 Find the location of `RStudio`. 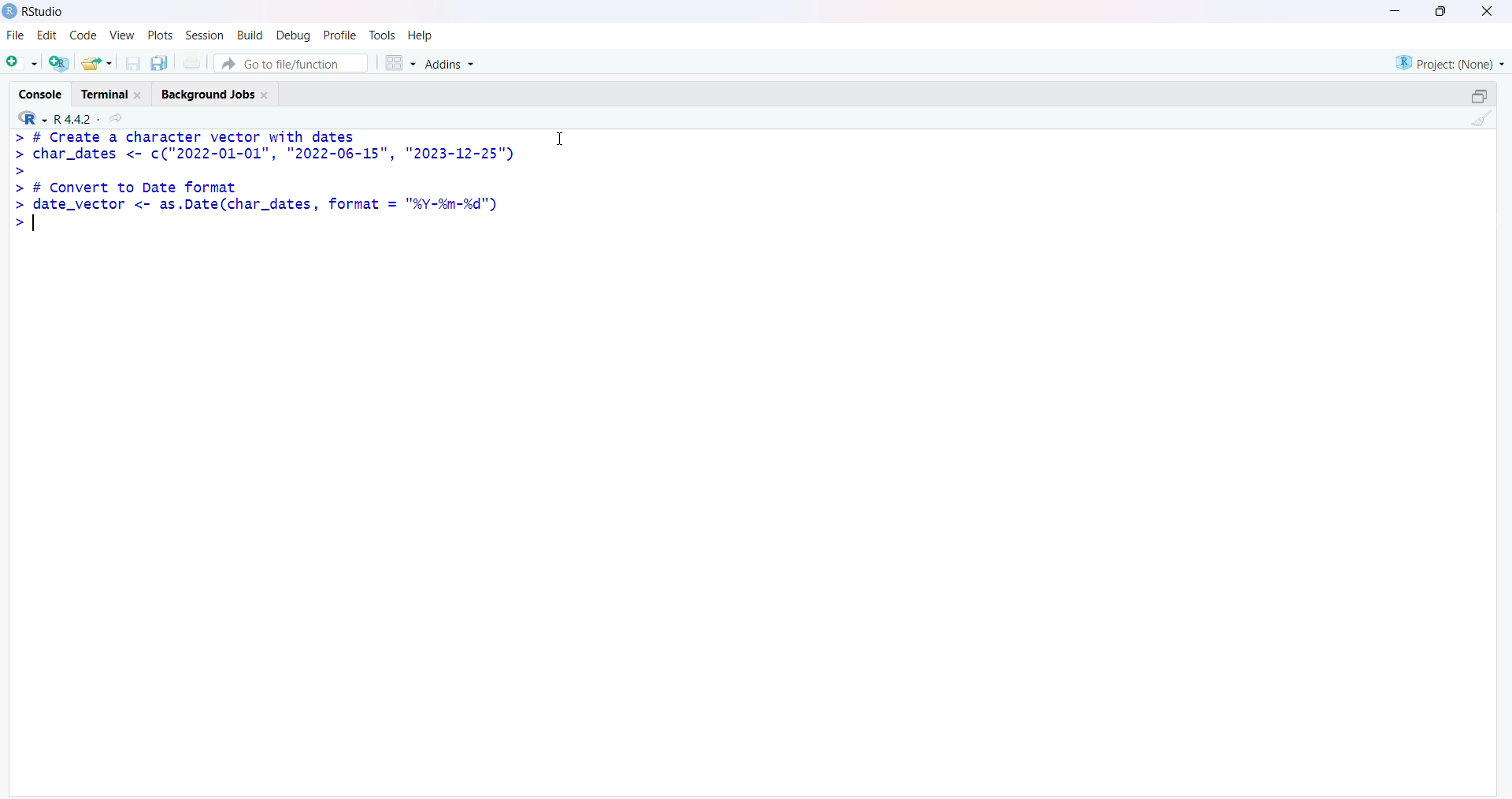

RStudio is located at coordinates (34, 15).